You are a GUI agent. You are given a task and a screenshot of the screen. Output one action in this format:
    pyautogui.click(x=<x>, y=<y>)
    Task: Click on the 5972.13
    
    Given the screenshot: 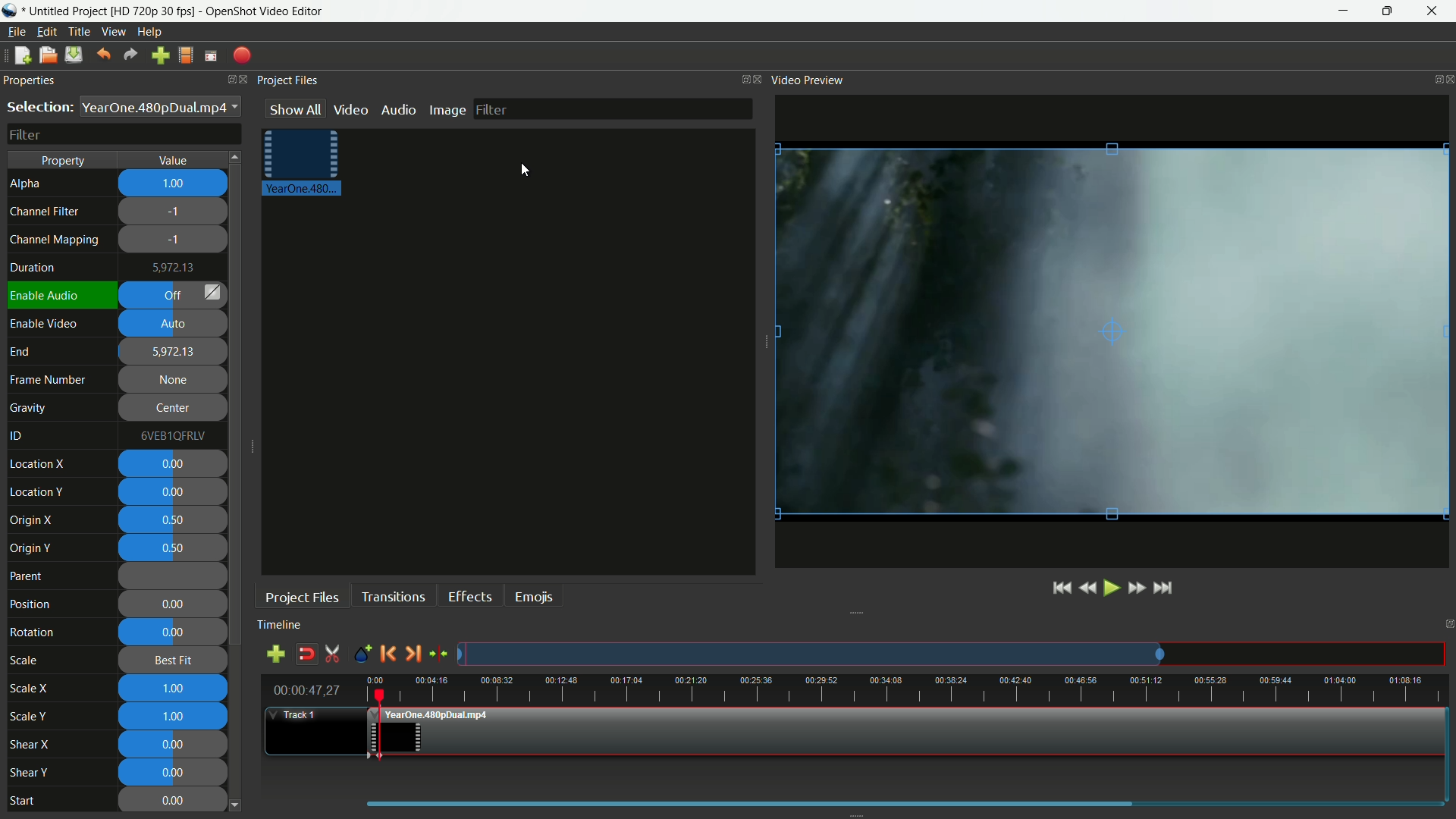 What is the action you would take?
    pyautogui.click(x=177, y=268)
    